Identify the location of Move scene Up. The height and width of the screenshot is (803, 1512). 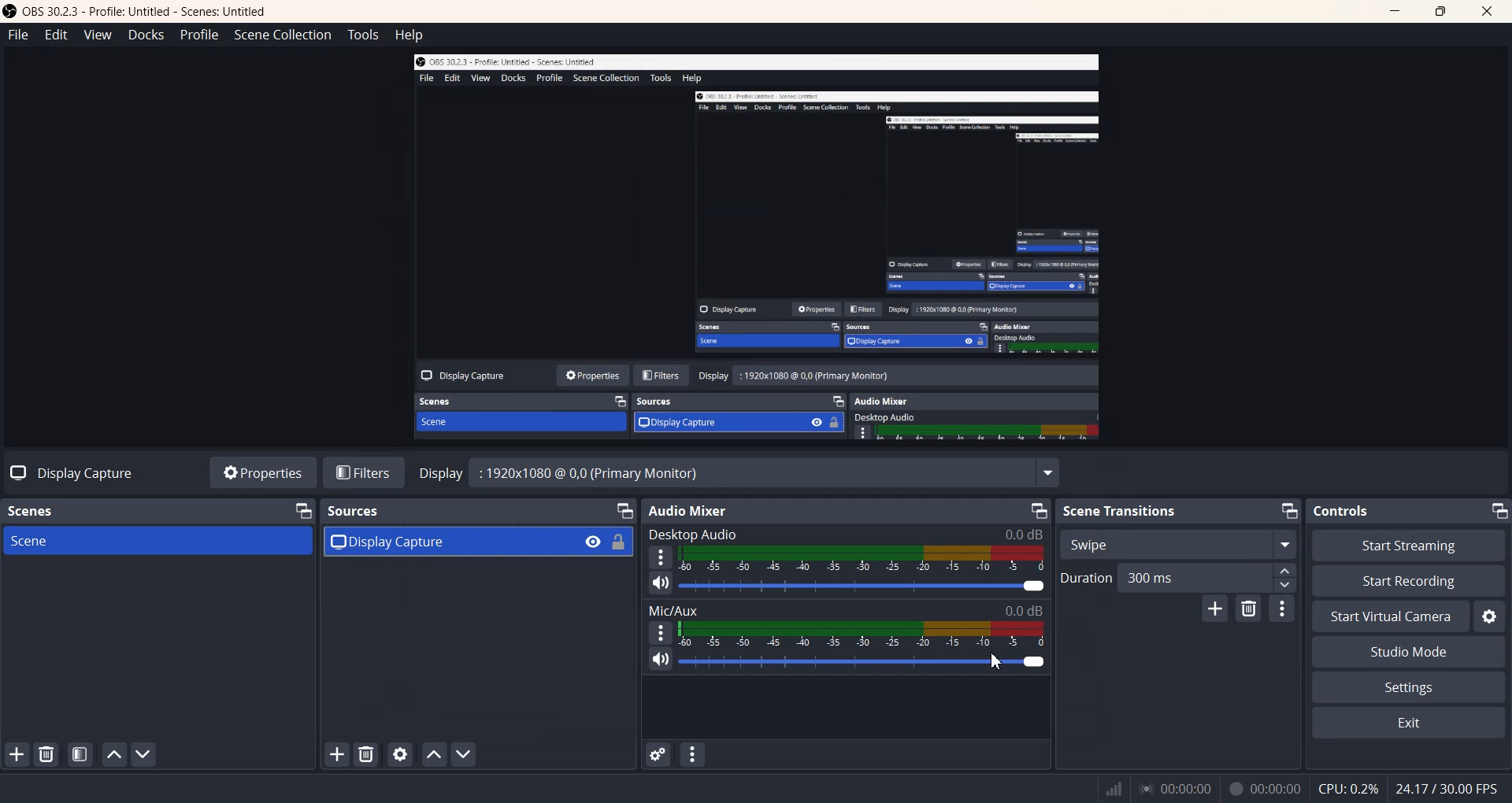
(114, 755).